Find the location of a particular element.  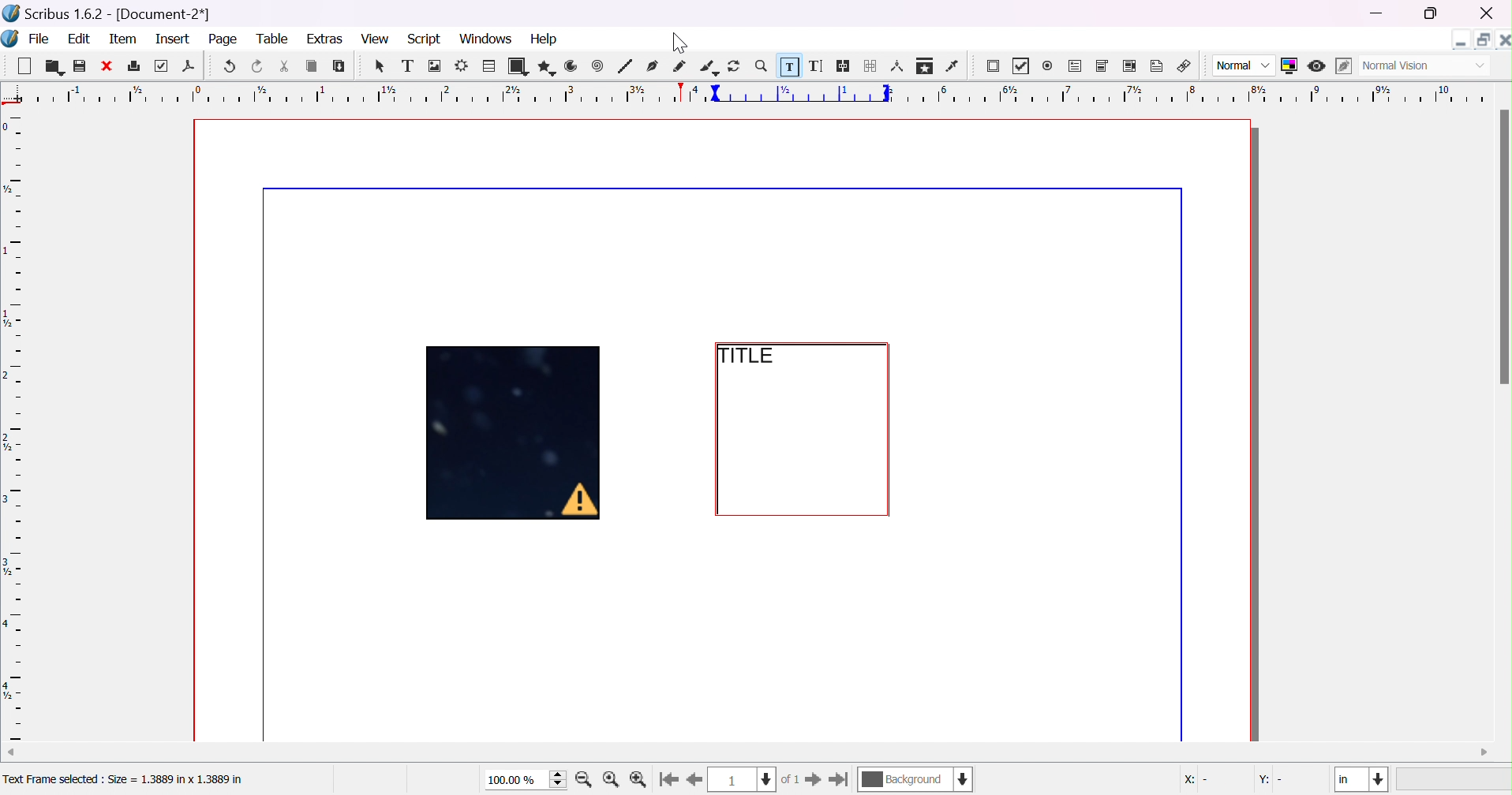

image frame is located at coordinates (436, 66).